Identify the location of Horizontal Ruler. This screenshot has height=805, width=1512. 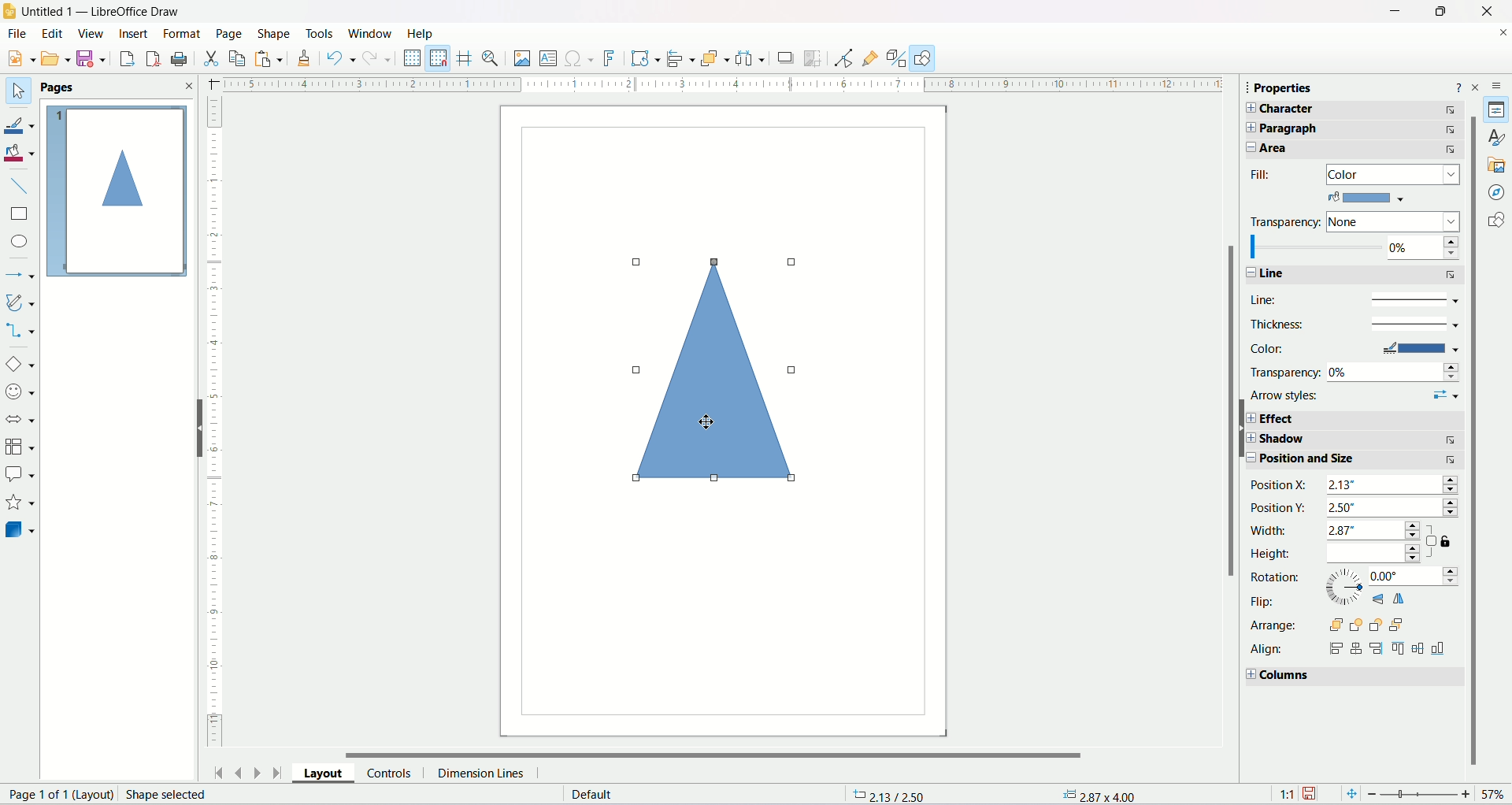
(720, 83).